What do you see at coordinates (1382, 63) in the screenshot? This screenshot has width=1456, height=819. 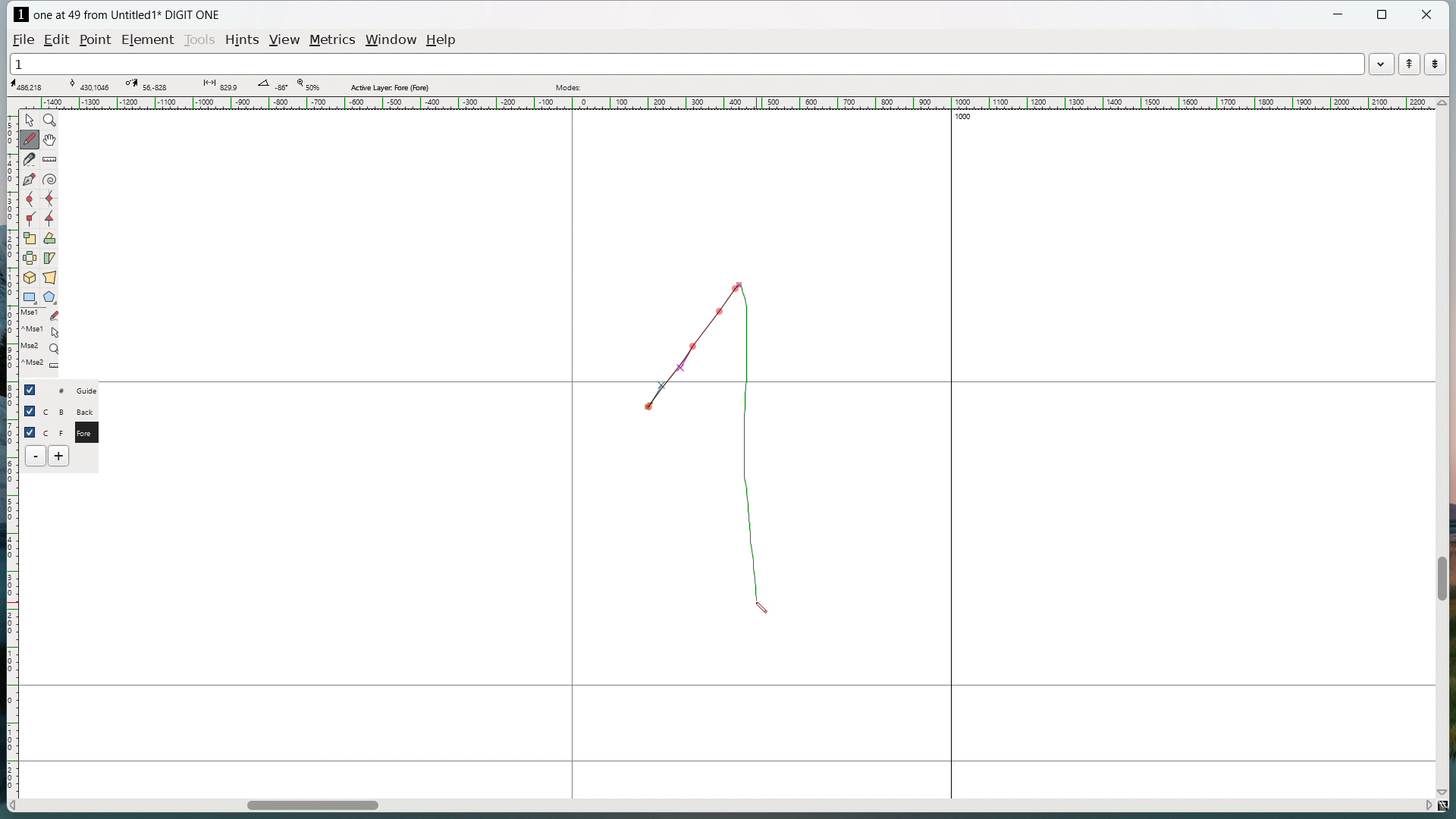 I see `word list` at bounding box center [1382, 63].